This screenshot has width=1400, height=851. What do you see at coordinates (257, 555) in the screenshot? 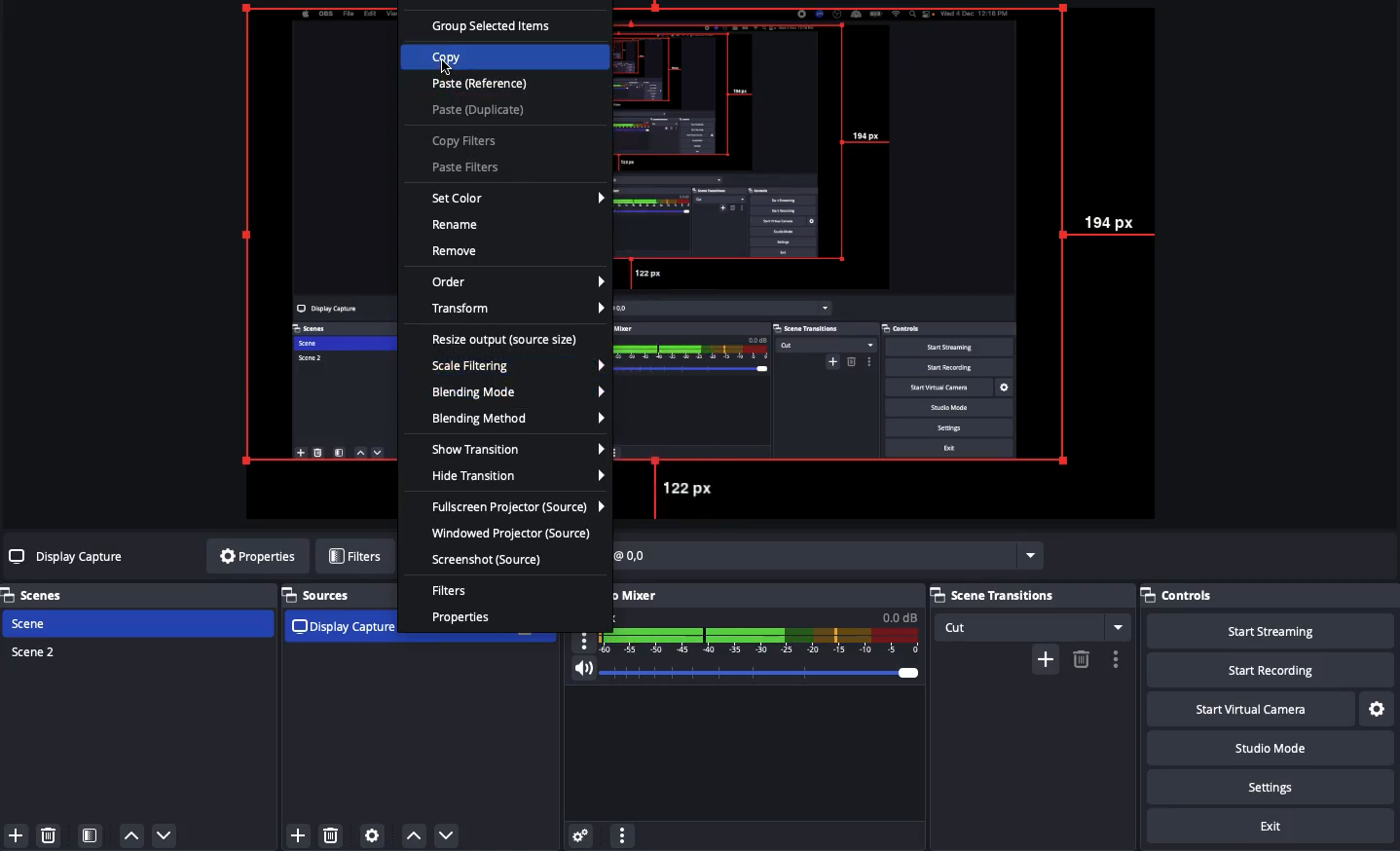
I see `Properties` at bounding box center [257, 555].